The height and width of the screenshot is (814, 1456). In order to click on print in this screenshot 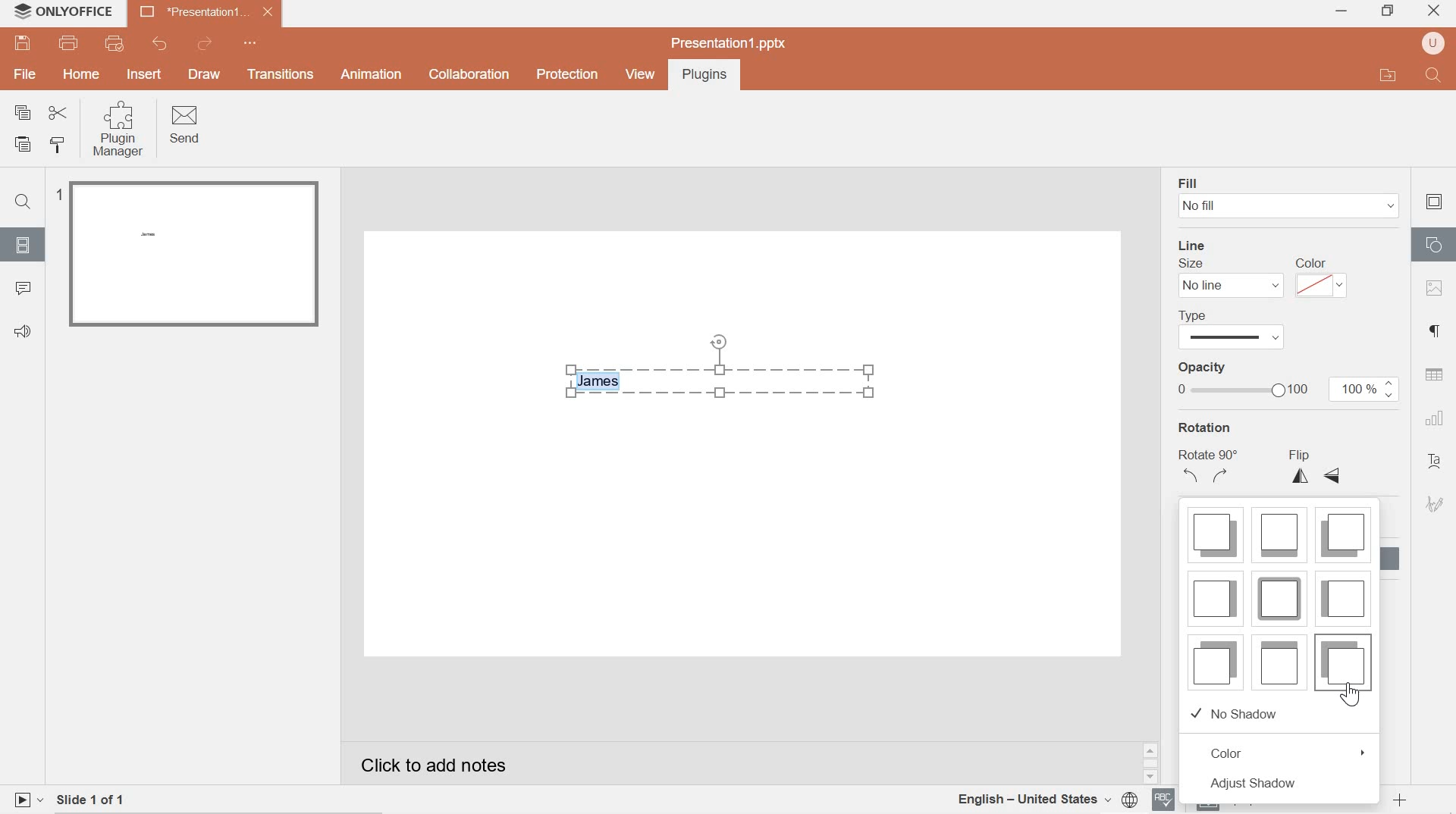, I will do `click(71, 44)`.